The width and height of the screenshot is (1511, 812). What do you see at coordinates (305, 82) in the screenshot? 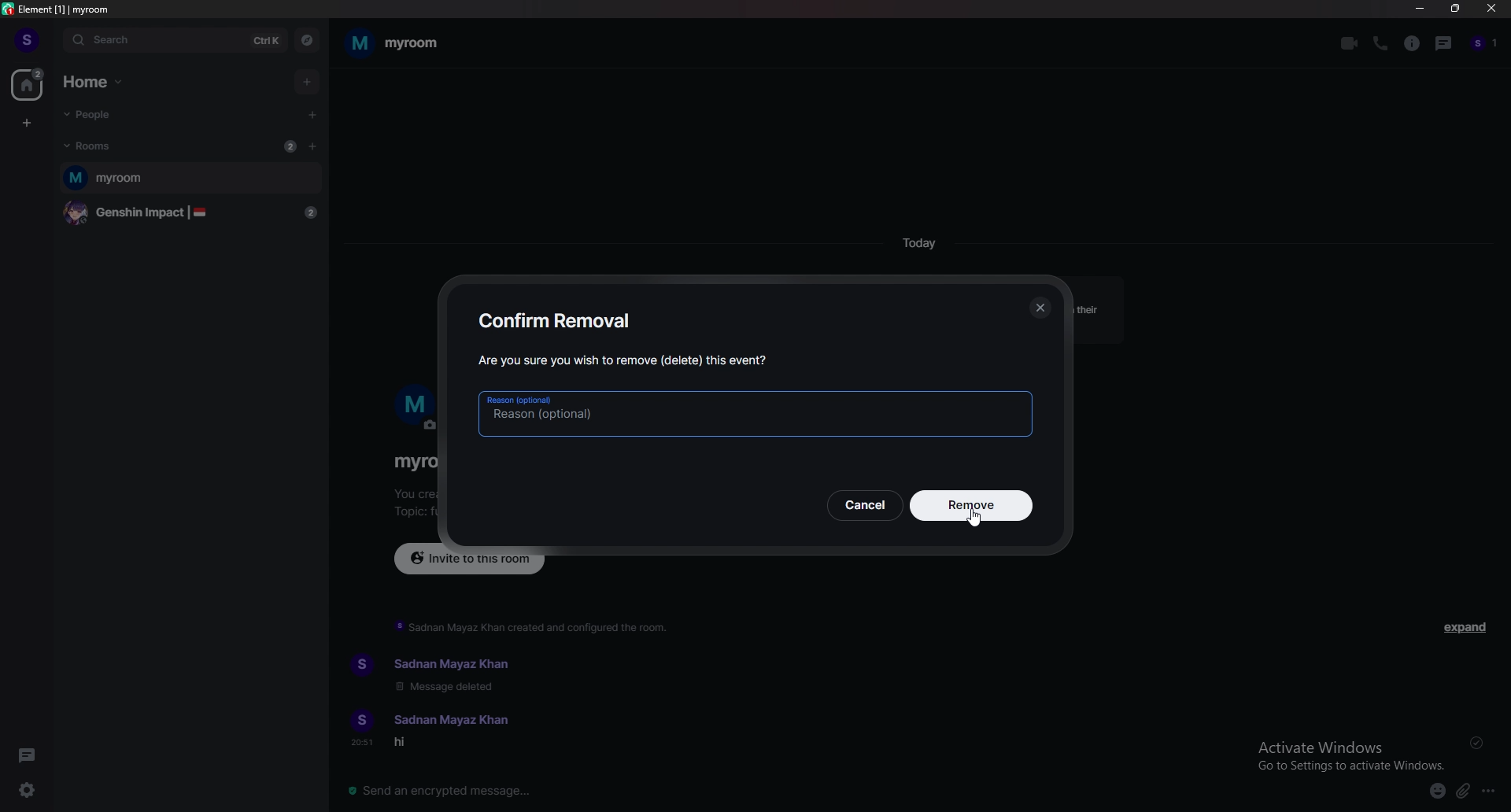
I see `add` at bounding box center [305, 82].